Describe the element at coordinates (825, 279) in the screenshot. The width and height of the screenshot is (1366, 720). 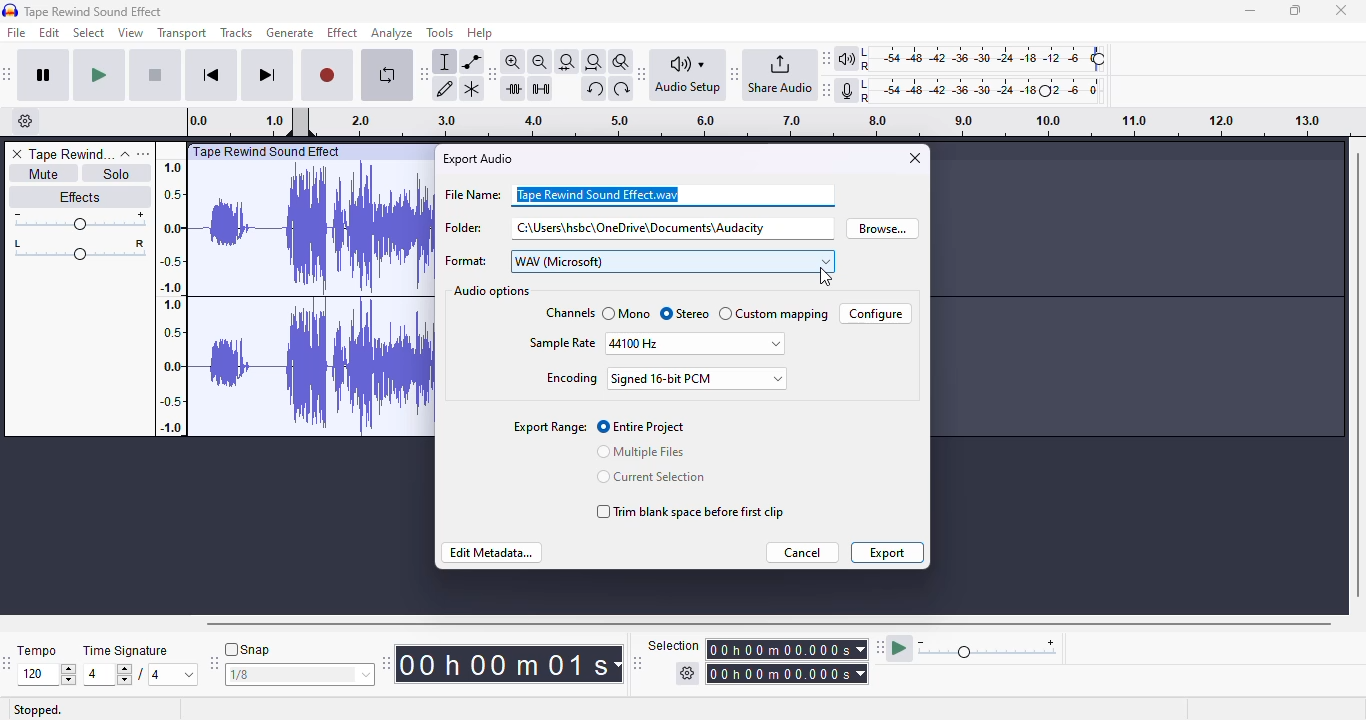
I see `cursor` at that location.